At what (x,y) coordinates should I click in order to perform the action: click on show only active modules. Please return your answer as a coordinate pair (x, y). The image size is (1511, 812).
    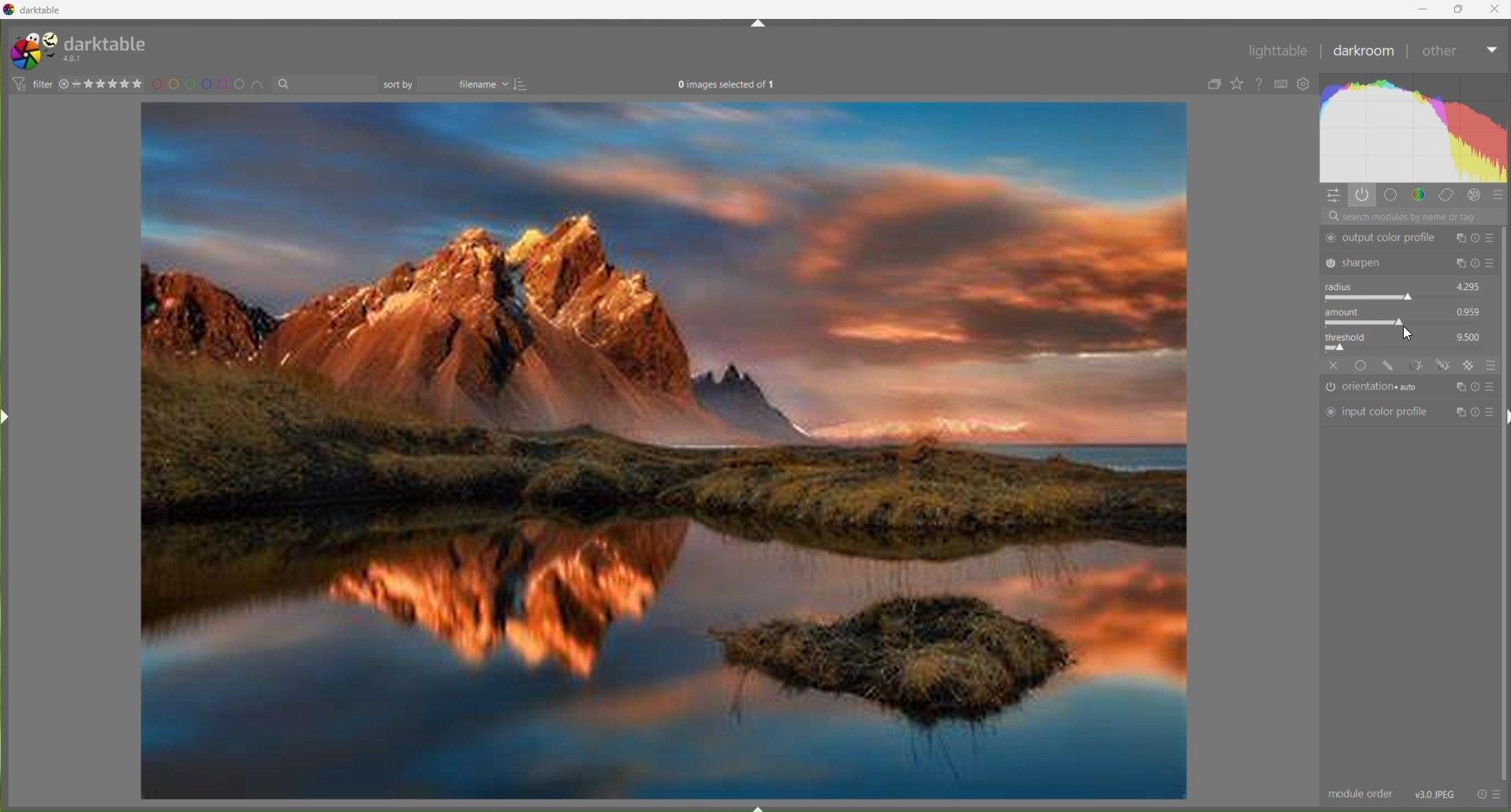
    Looking at the image, I should click on (1364, 195).